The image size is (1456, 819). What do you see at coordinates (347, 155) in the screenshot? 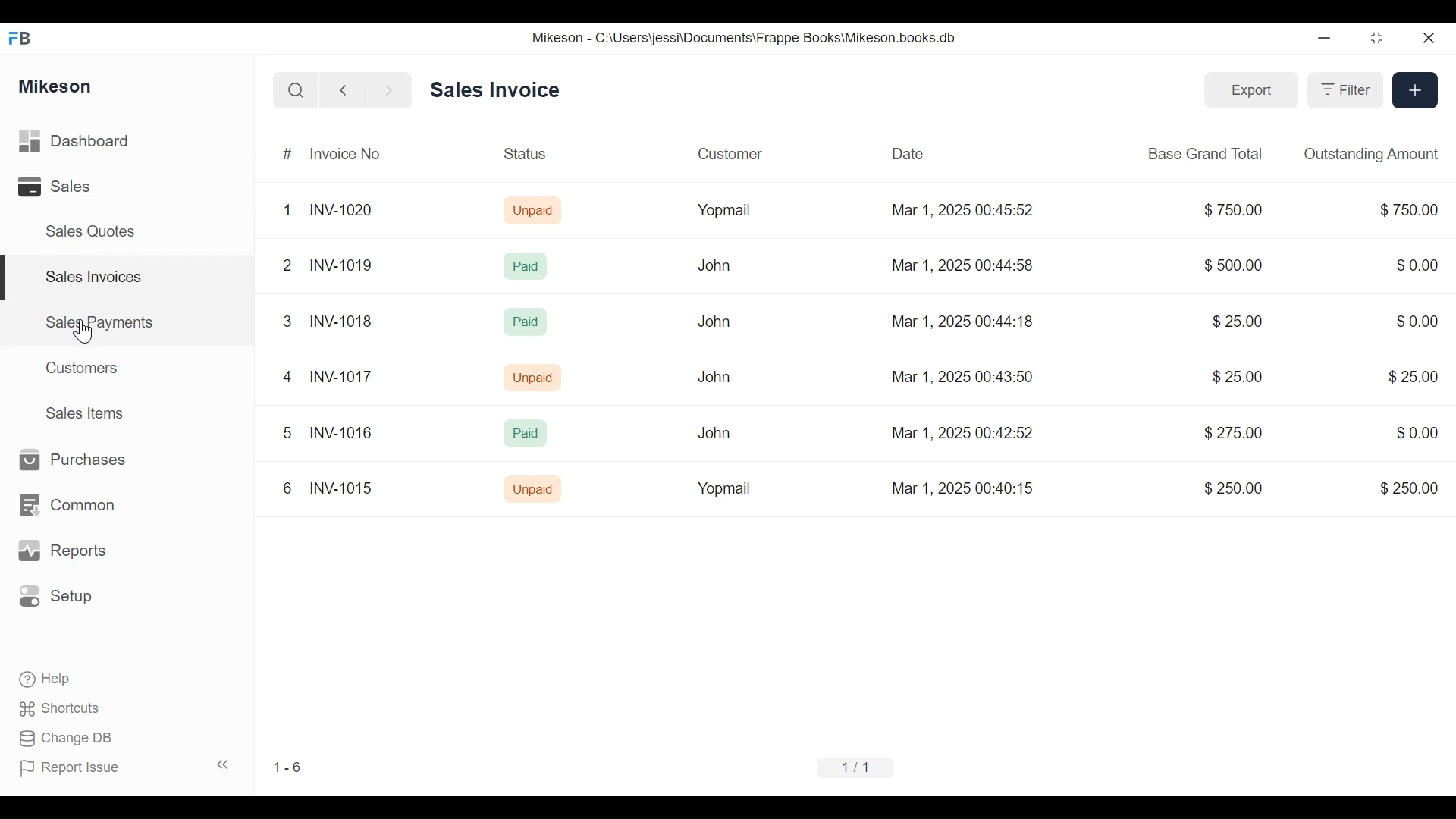
I see `Invoice No` at bounding box center [347, 155].